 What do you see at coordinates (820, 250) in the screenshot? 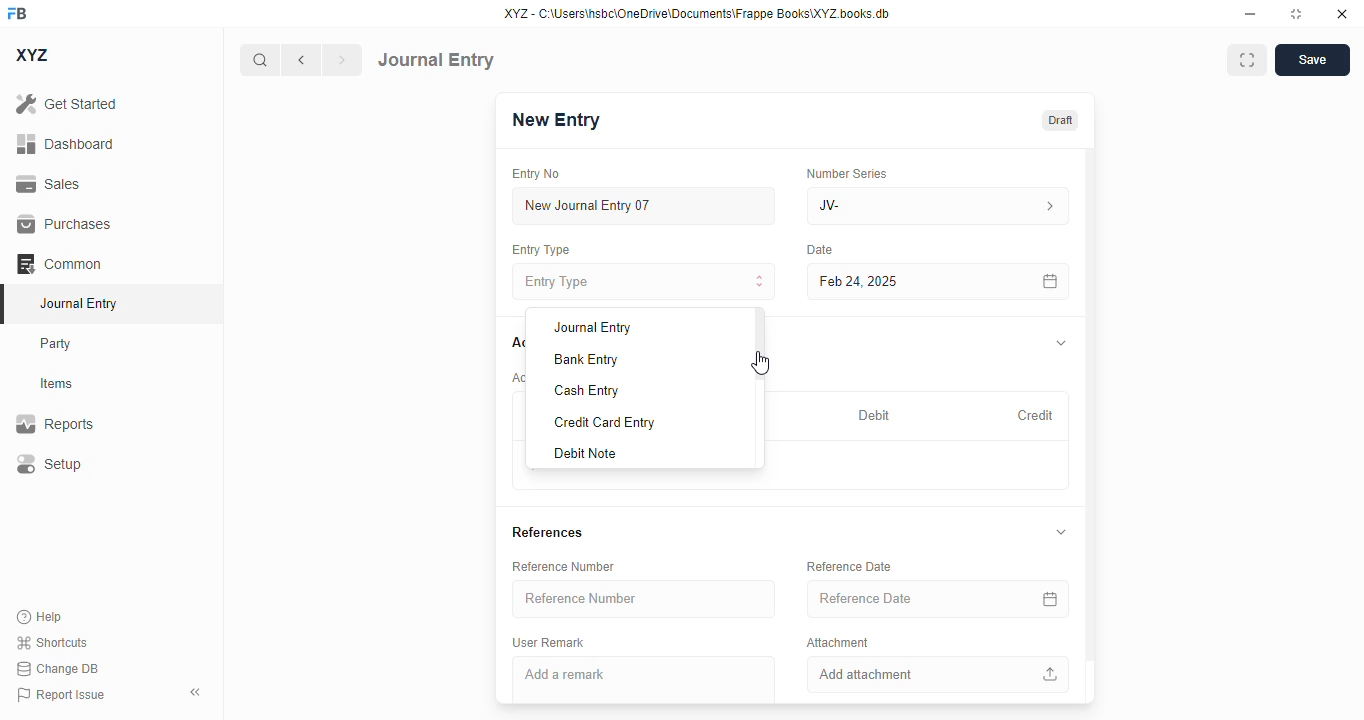
I see `date` at bounding box center [820, 250].